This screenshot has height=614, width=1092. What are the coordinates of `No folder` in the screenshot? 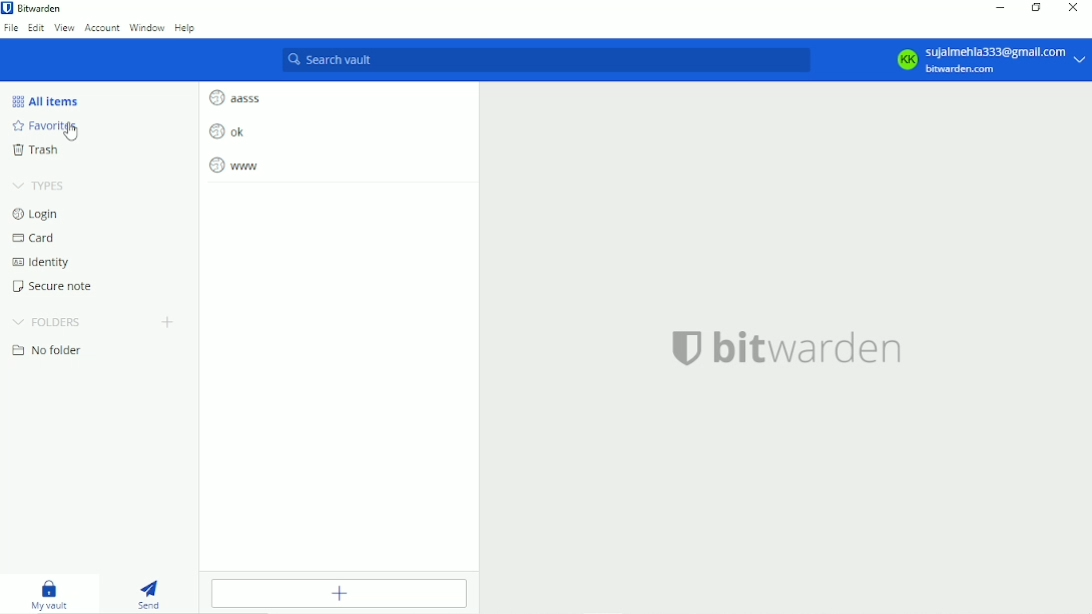 It's located at (49, 351).